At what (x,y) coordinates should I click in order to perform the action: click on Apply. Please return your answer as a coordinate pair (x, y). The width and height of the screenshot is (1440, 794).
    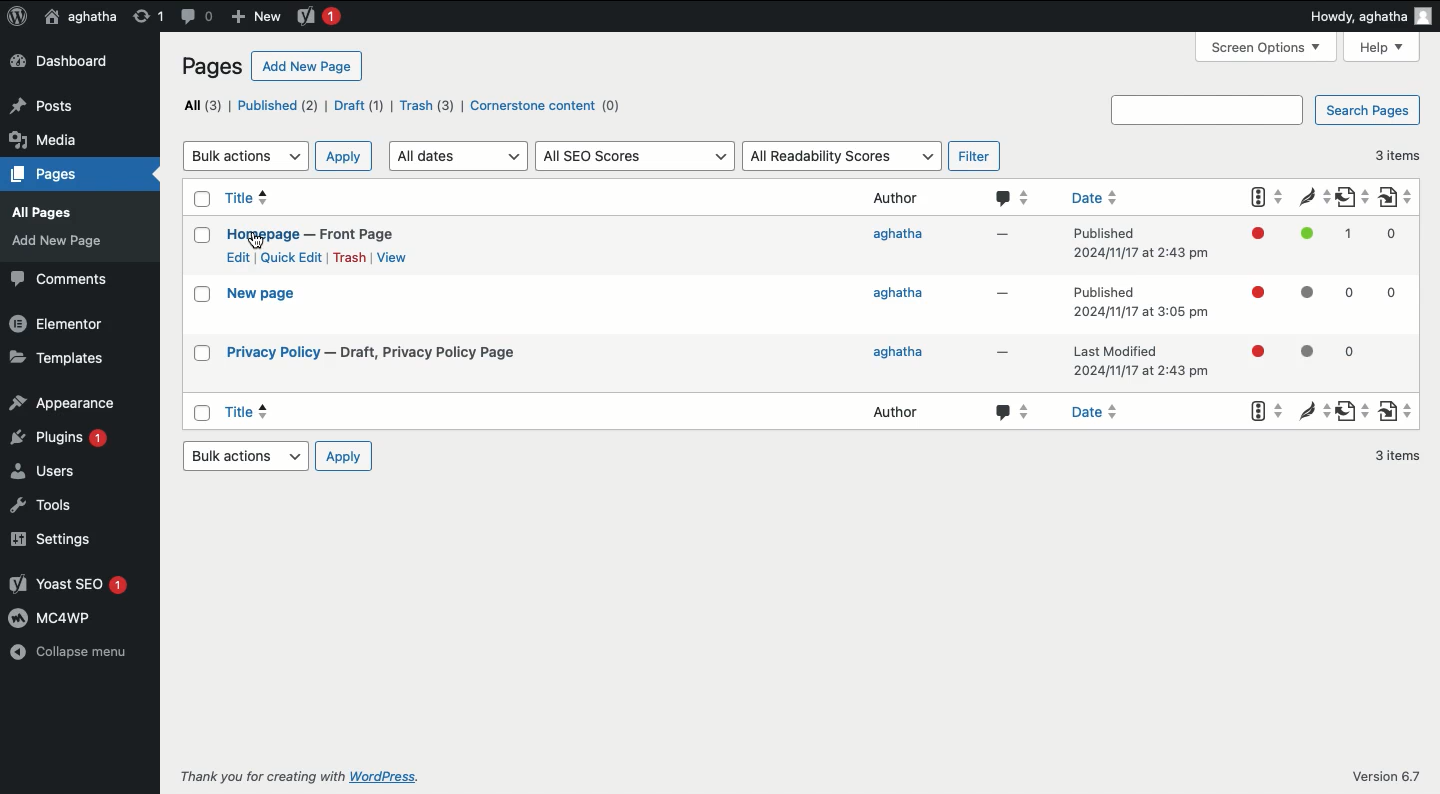
    Looking at the image, I should click on (343, 157).